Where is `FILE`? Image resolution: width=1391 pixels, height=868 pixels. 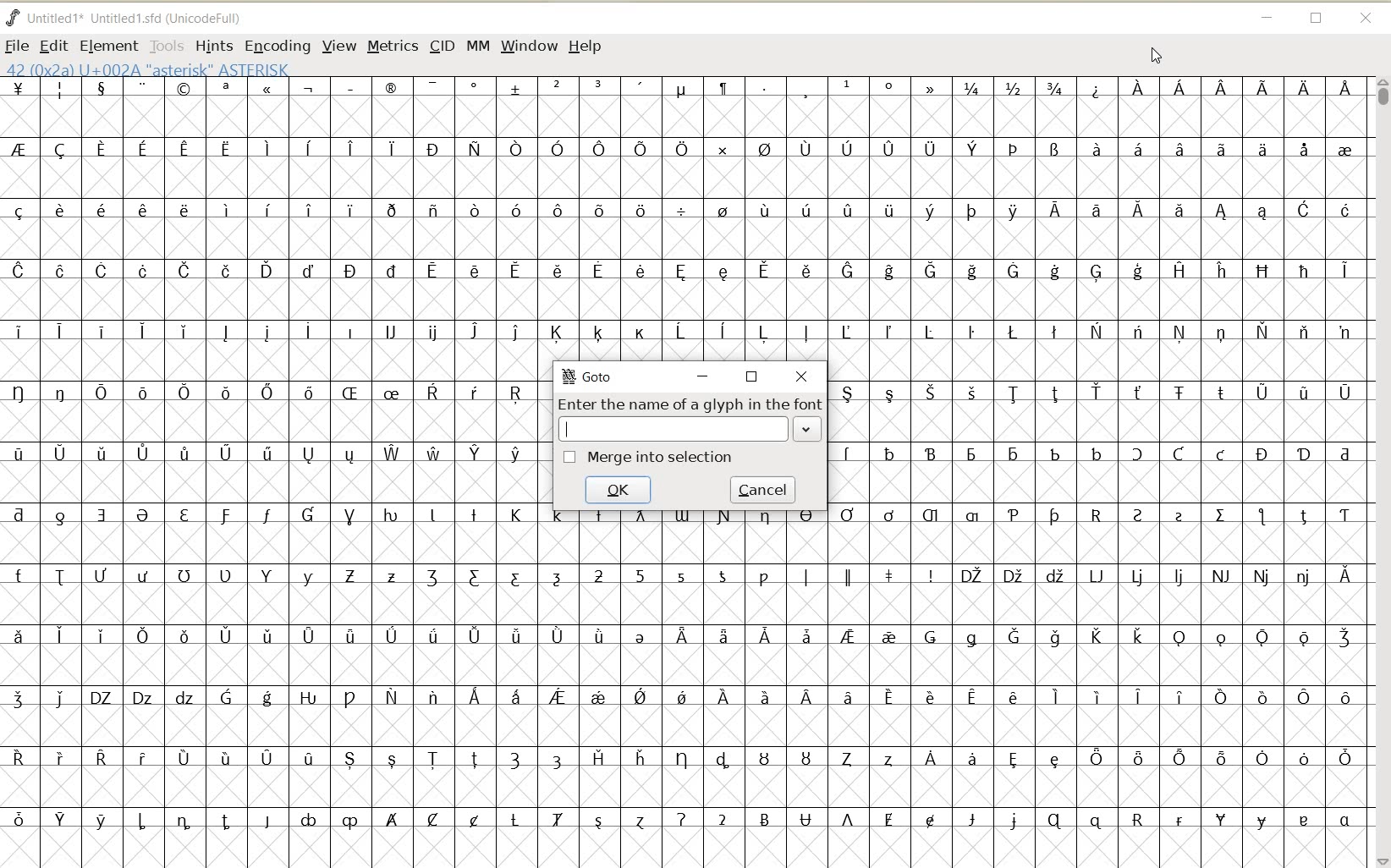 FILE is located at coordinates (17, 45).